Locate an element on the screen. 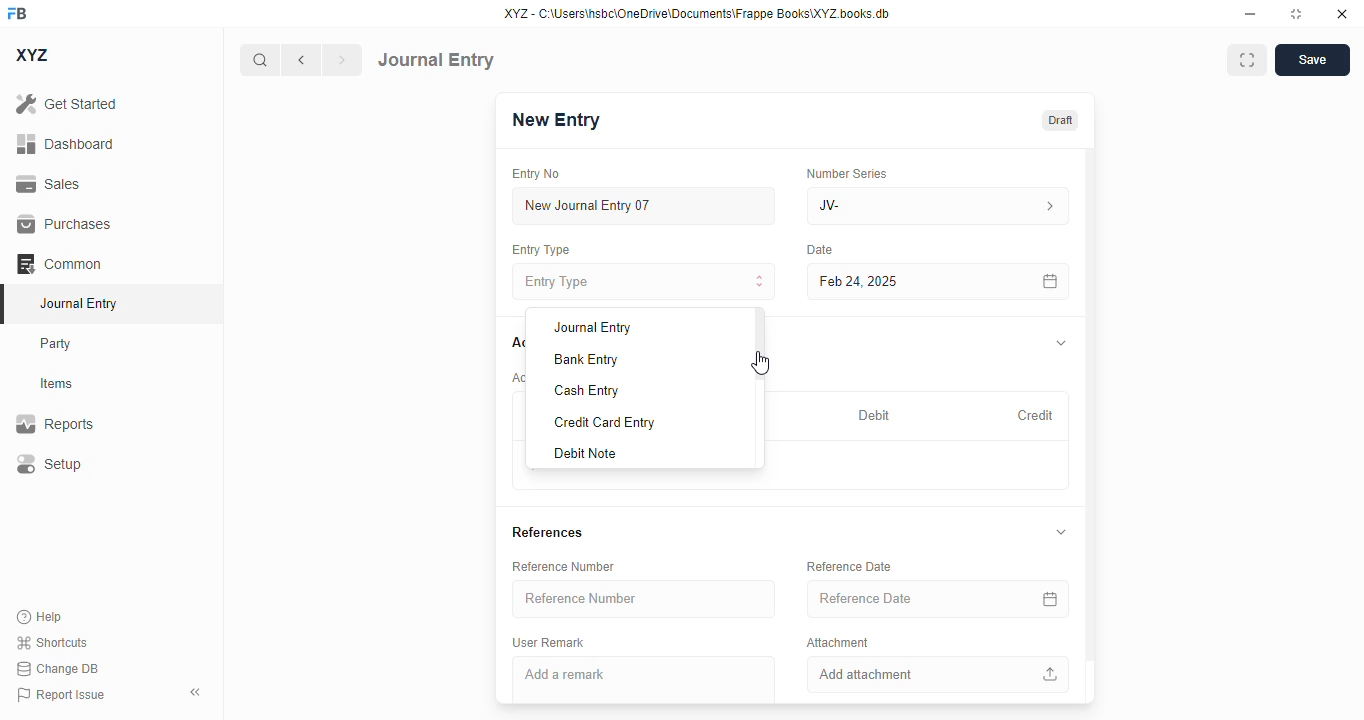  items is located at coordinates (57, 384).